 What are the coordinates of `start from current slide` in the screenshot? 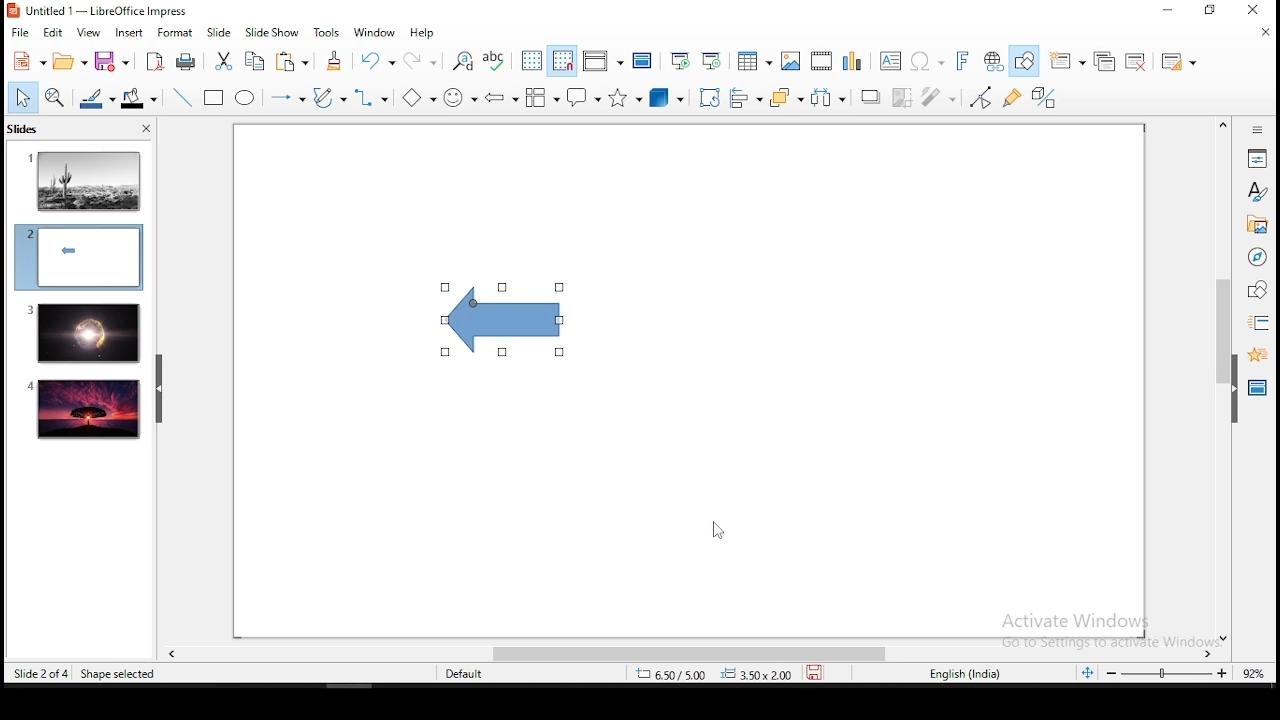 It's located at (713, 60).